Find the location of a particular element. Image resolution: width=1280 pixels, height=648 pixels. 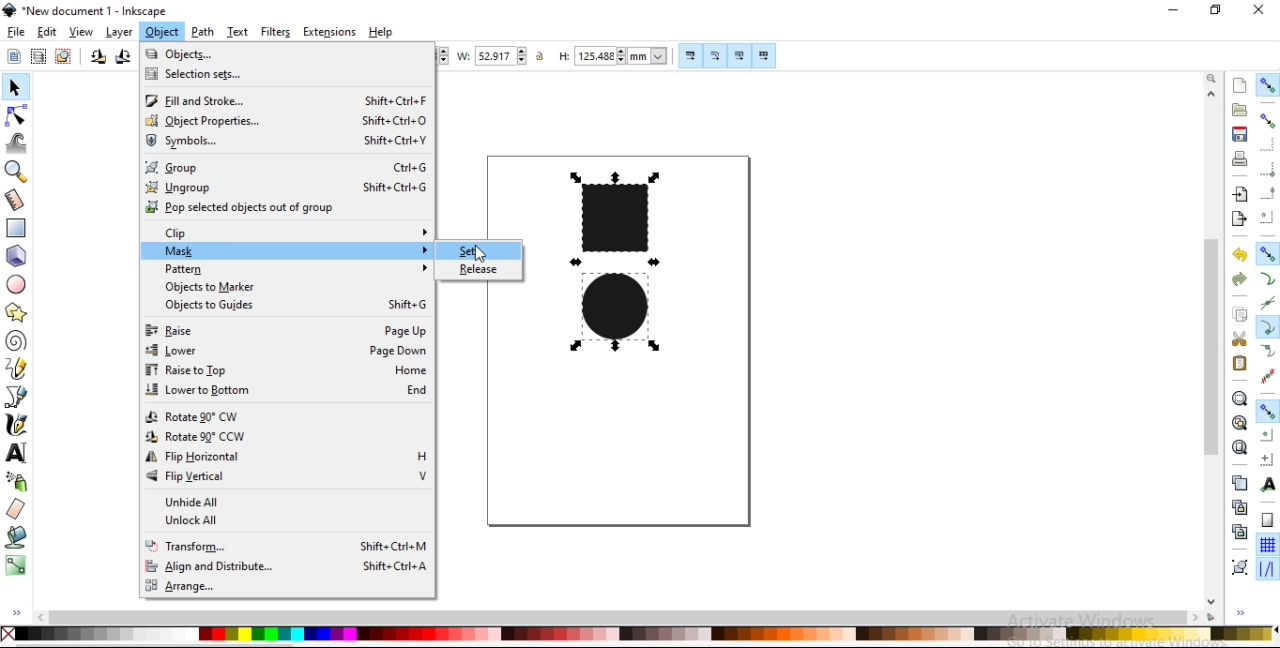

image is located at coordinates (621, 273).